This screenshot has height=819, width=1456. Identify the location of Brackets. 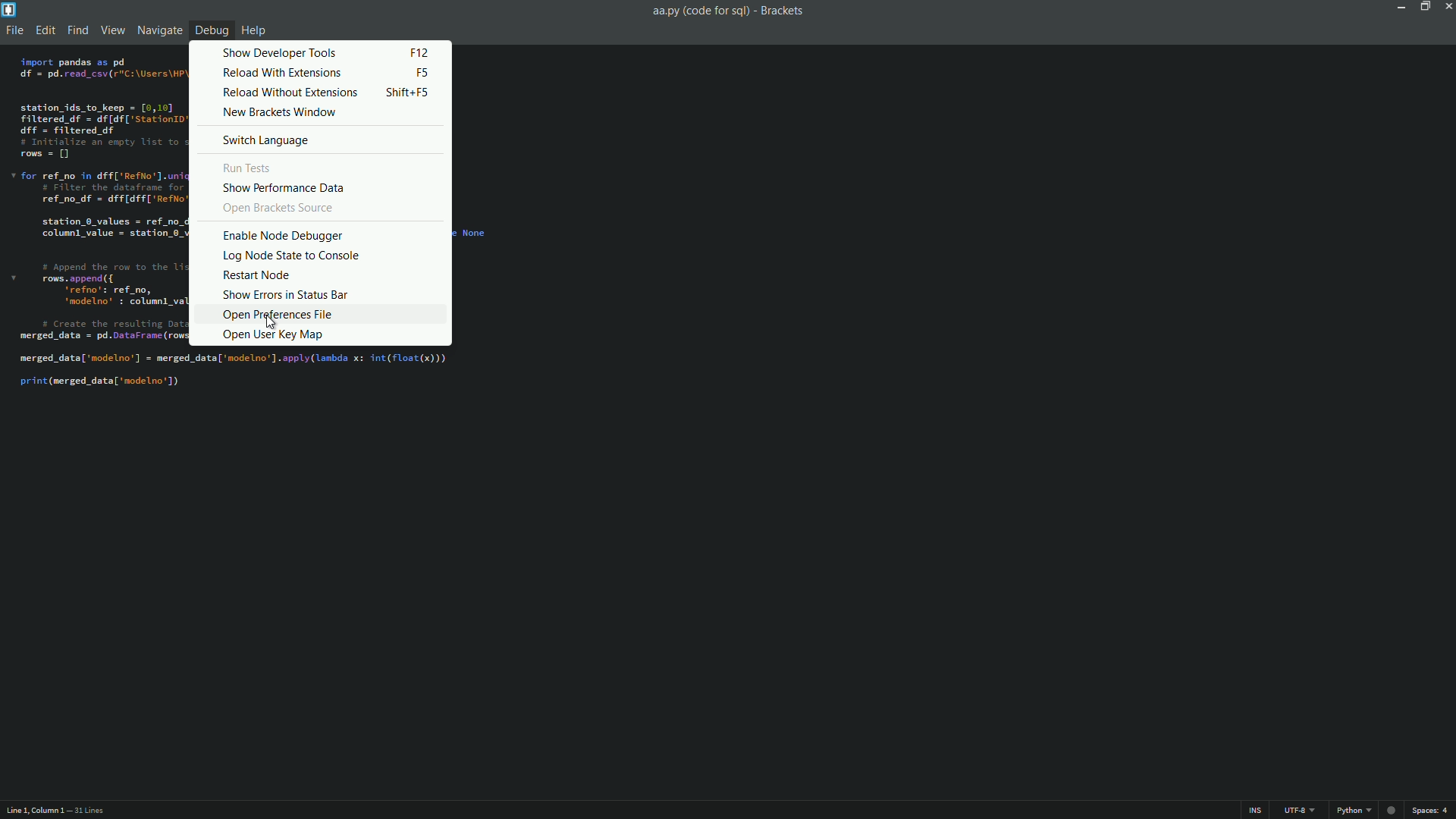
(786, 11).